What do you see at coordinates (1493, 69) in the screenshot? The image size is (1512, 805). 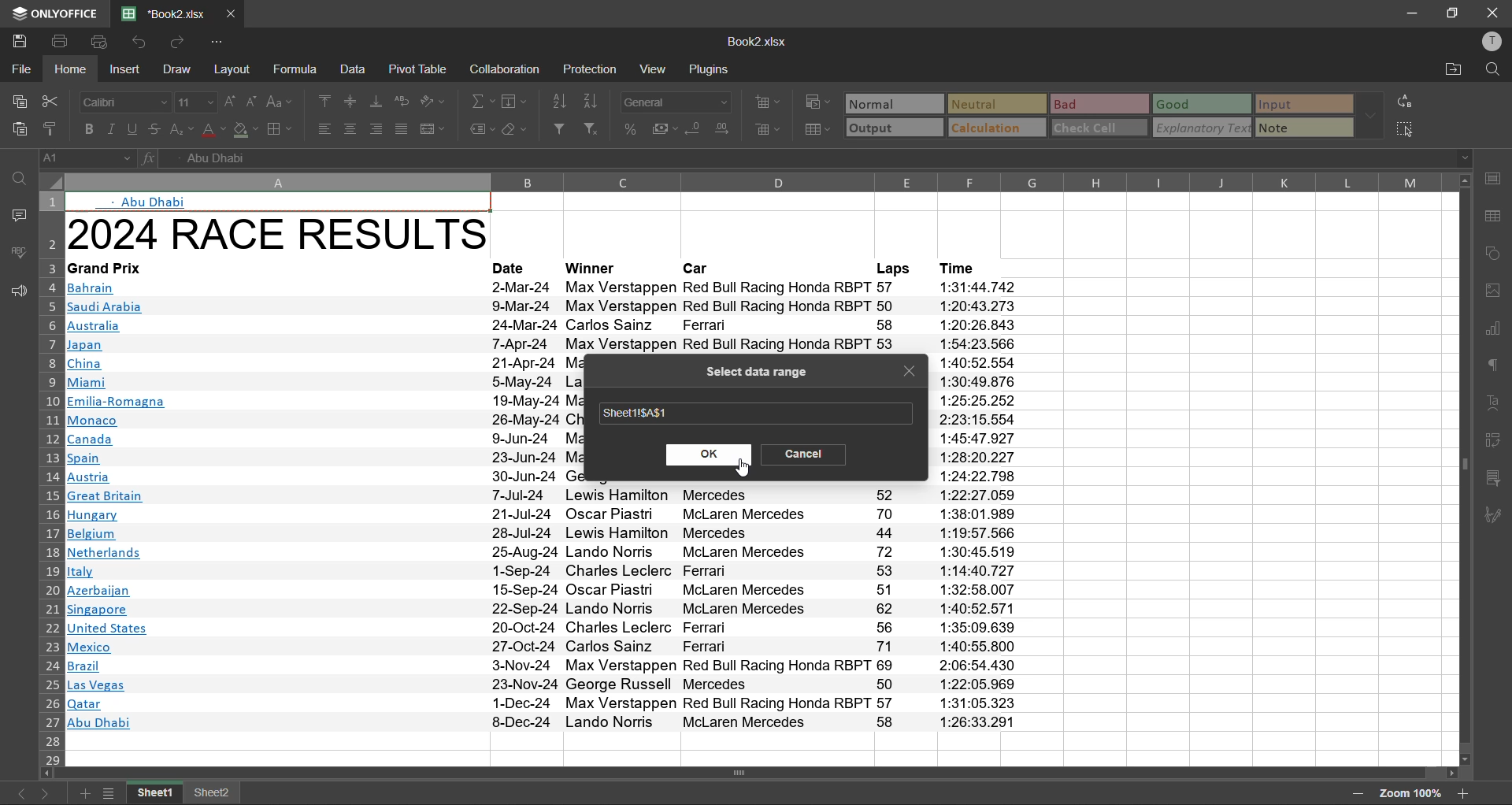 I see `find` at bounding box center [1493, 69].